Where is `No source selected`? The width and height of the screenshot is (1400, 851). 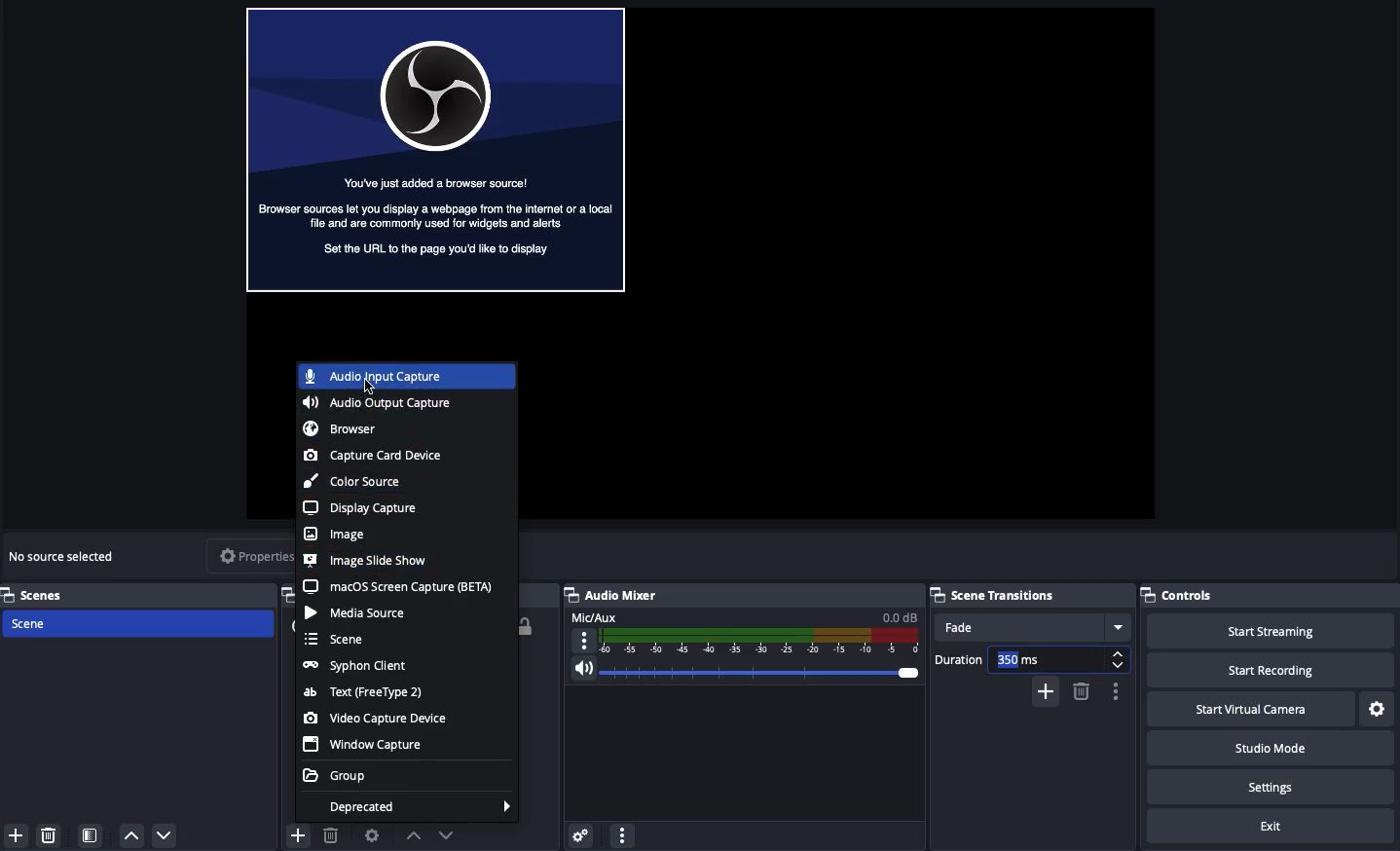
No source selected is located at coordinates (63, 559).